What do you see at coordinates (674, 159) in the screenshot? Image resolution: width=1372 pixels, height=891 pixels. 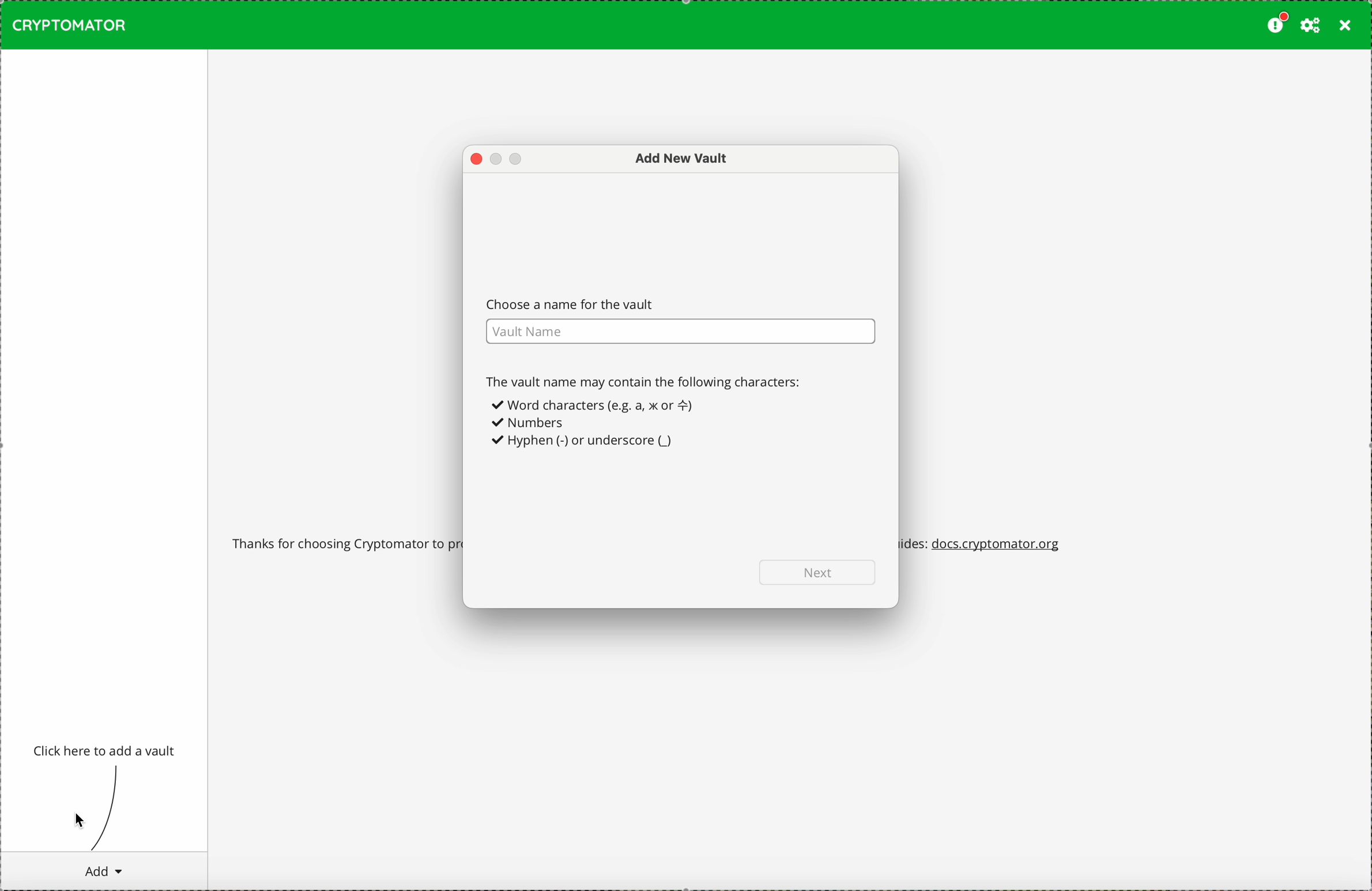 I see `add new vault window` at bounding box center [674, 159].